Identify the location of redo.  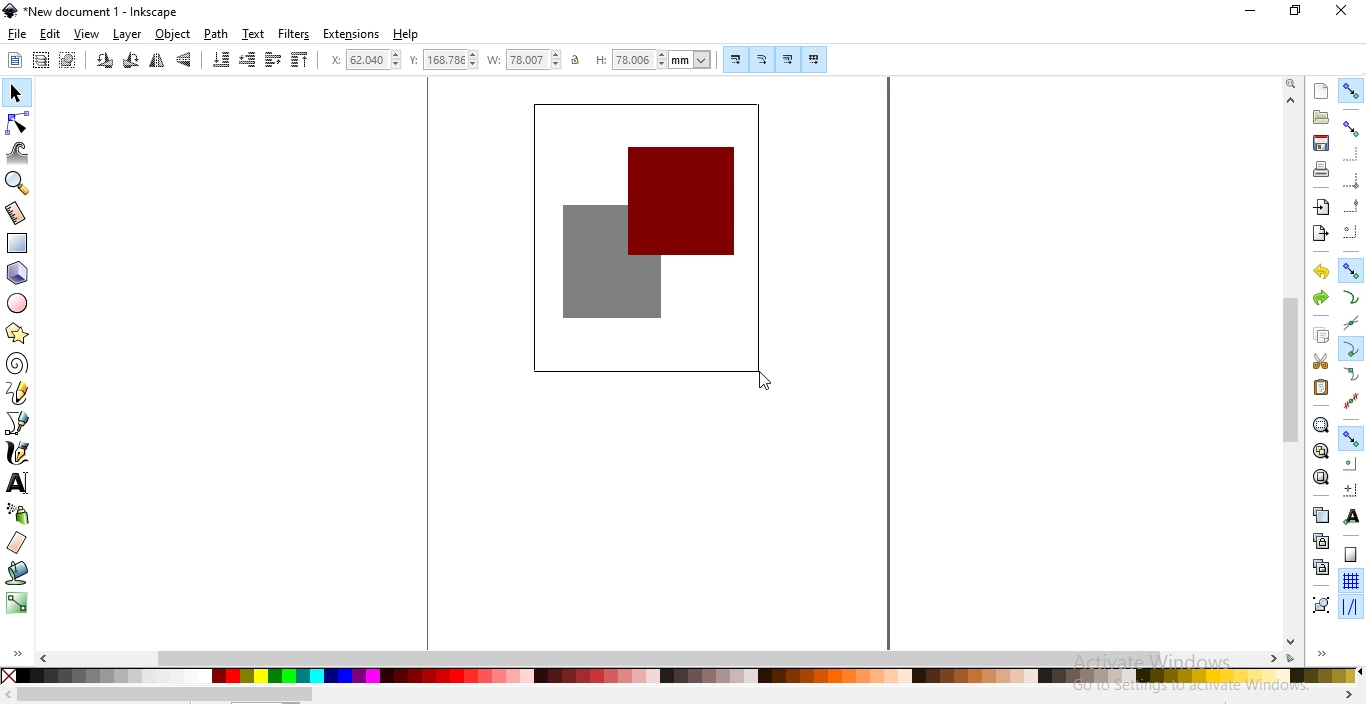
(1320, 297).